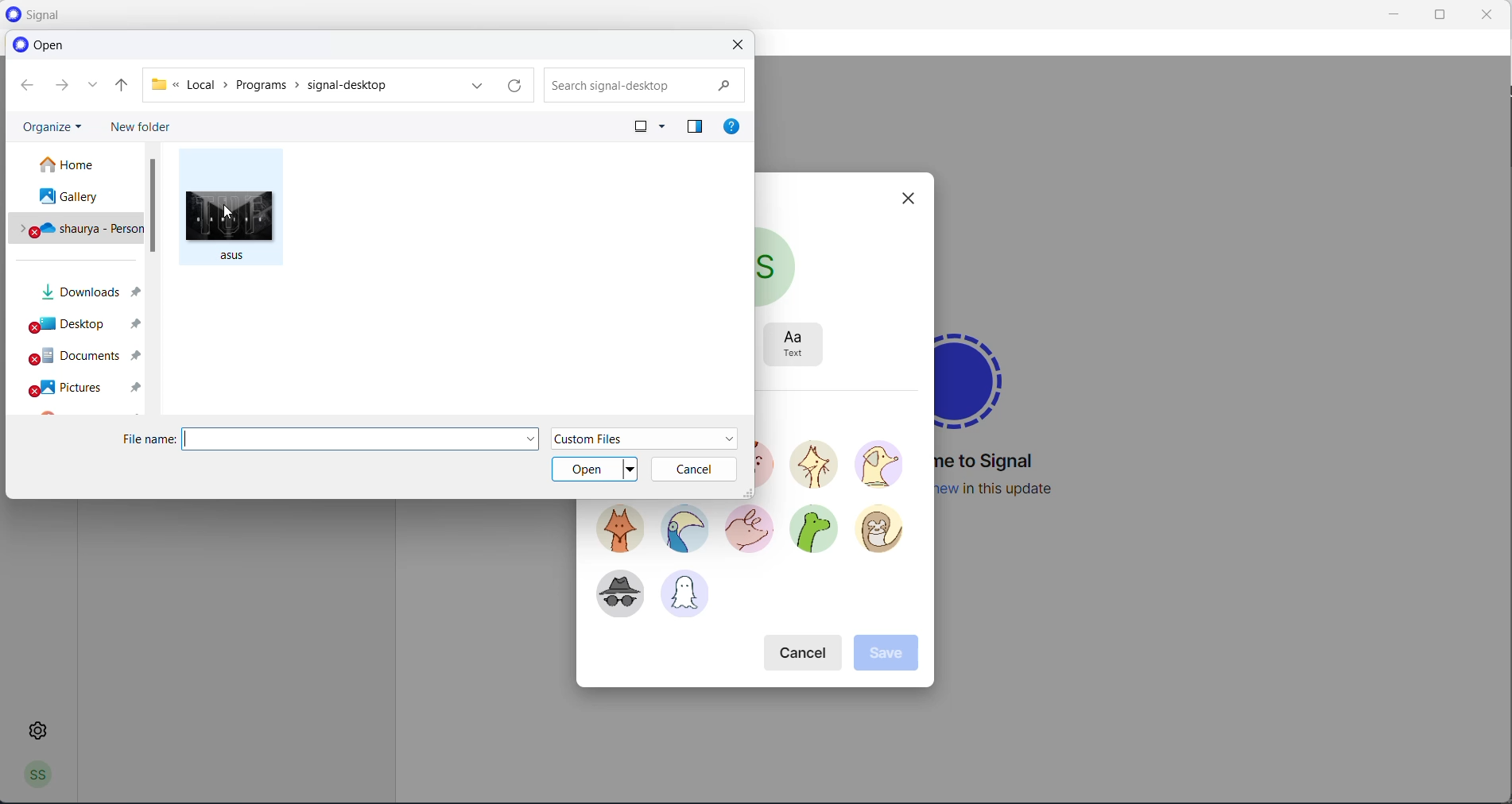  What do you see at coordinates (33, 778) in the screenshot?
I see `profile` at bounding box center [33, 778].